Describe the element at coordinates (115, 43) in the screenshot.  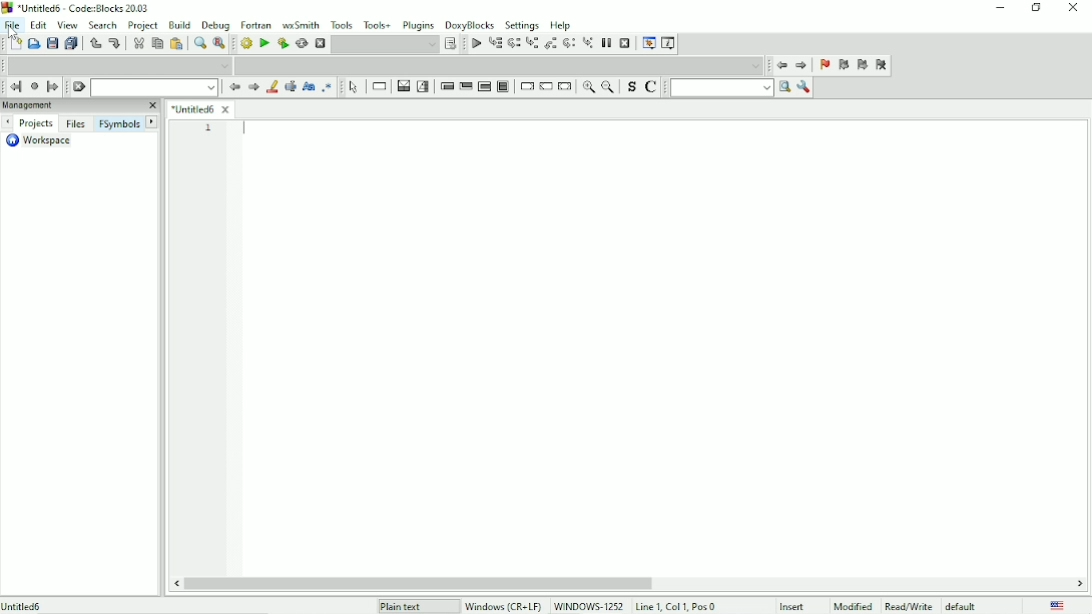
I see `Redo` at that location.